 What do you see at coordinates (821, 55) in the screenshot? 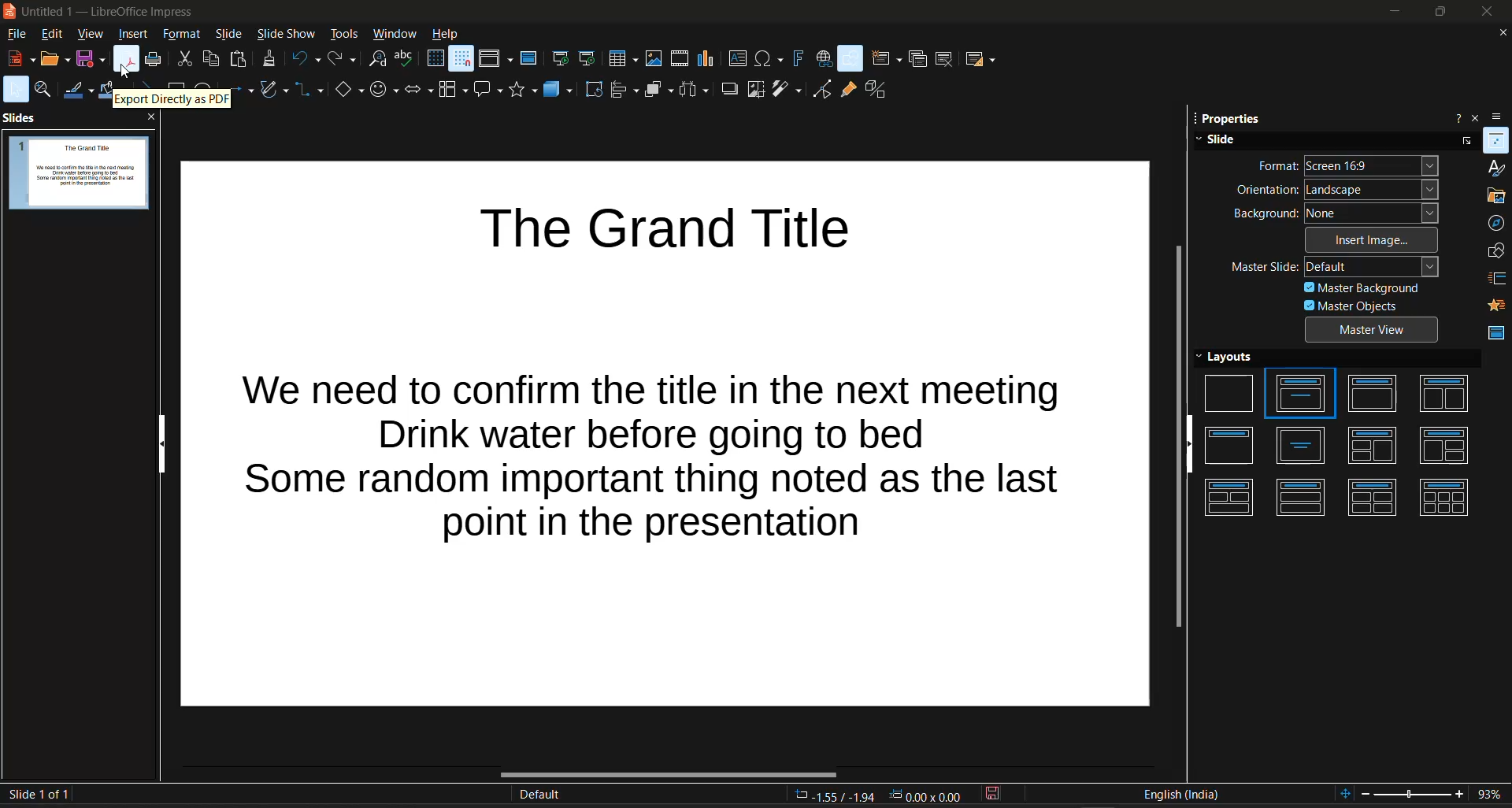
I see `insert hyperlink` at bounding box center [821, 55].